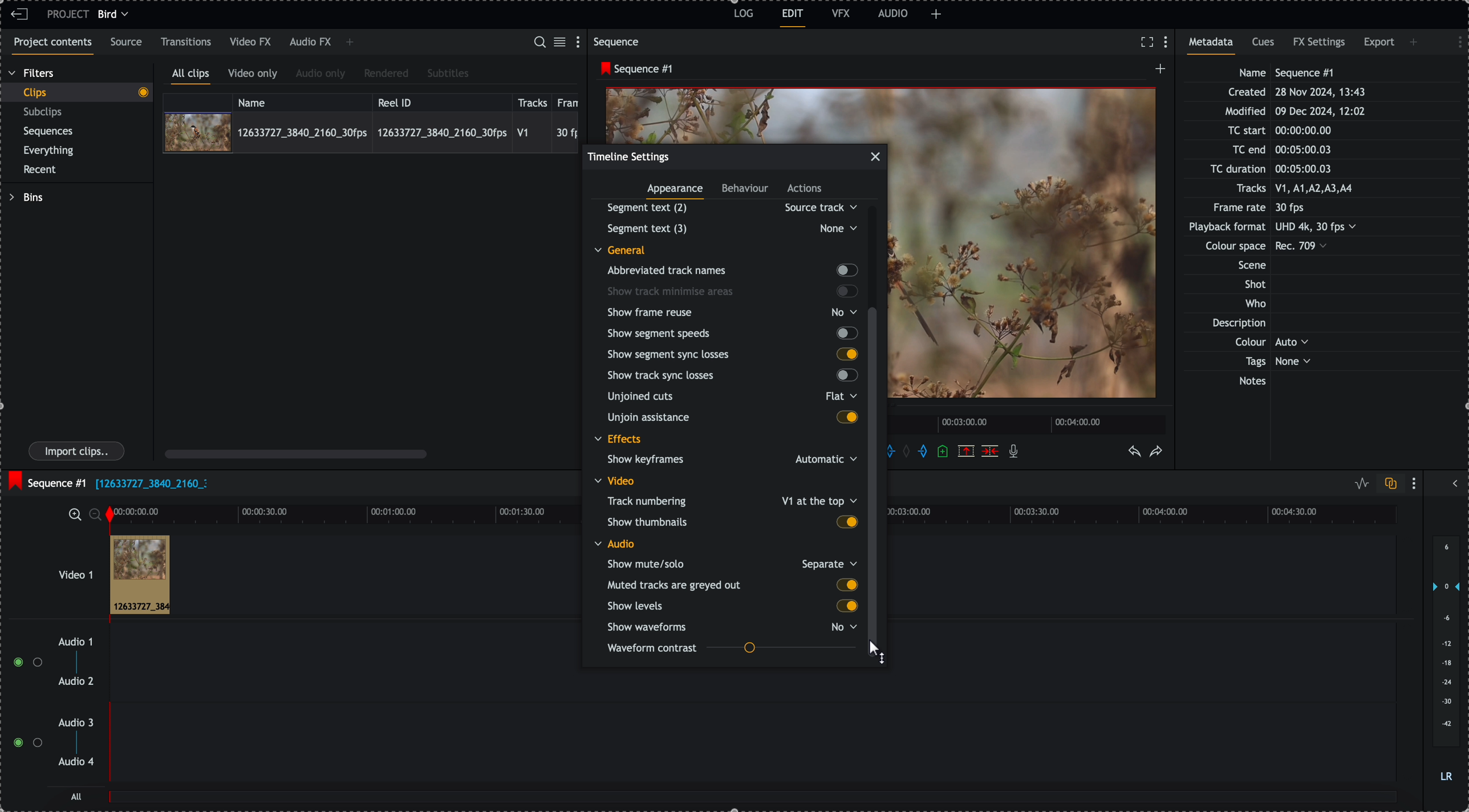 The image size is (1469, 812). I want to click on sequence #1, so click(46, 480).